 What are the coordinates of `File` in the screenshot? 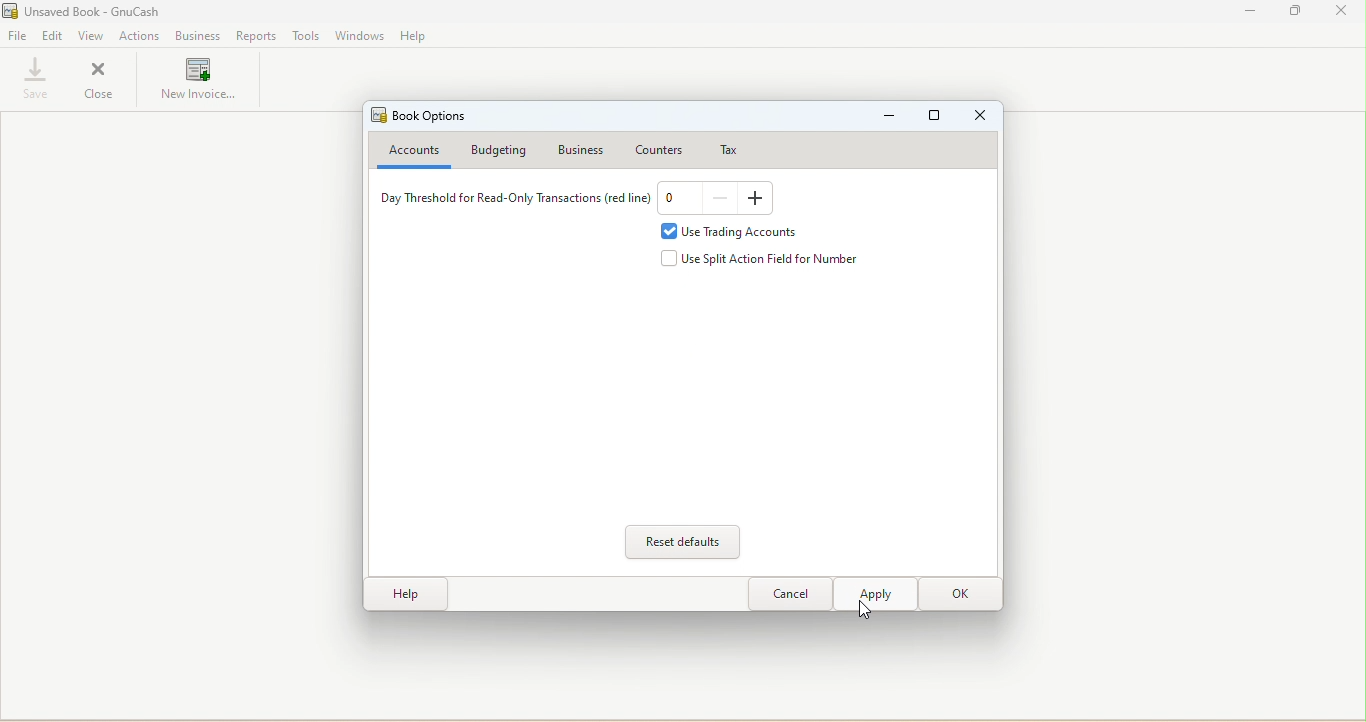 It's located at (18, 38).